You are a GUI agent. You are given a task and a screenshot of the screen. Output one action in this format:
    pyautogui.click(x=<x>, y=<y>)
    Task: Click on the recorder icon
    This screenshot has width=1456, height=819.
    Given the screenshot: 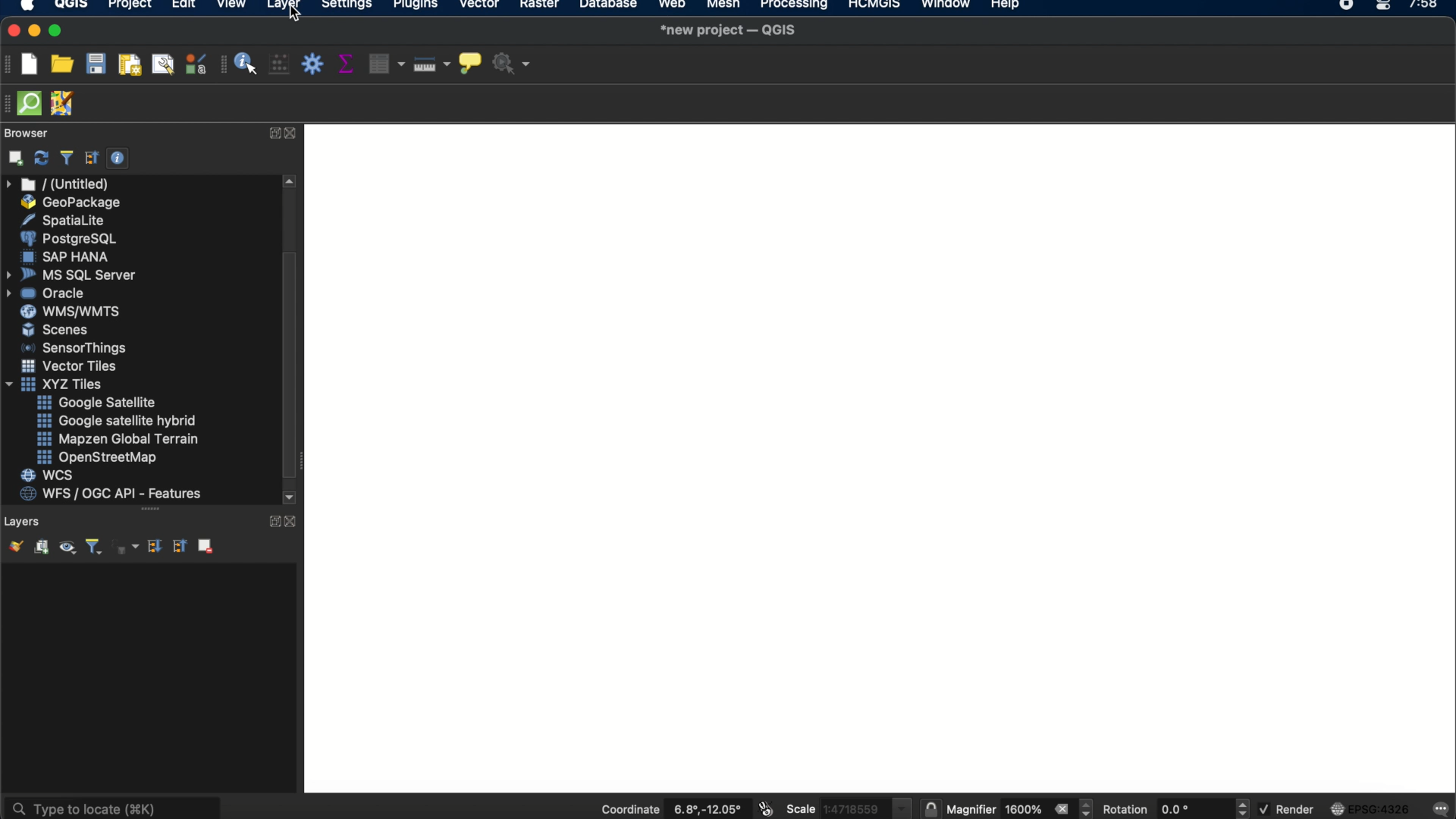 What is the action you would take?
    pyautogui.click(x=1348, y=6)
    